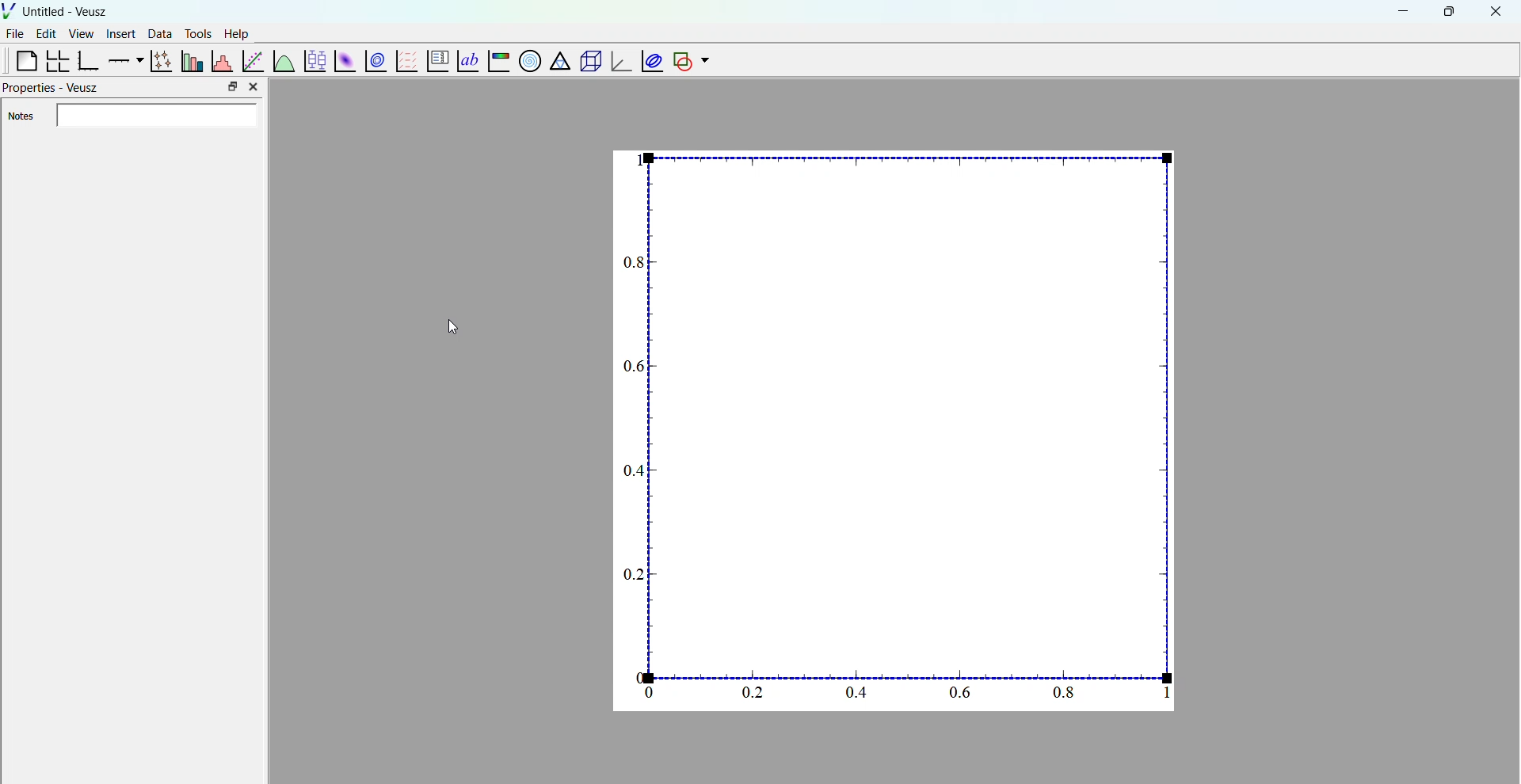  What do you see at coordinates (749, 691) in the screenshot?
I see `0.2` at bounding box center [749, 691].